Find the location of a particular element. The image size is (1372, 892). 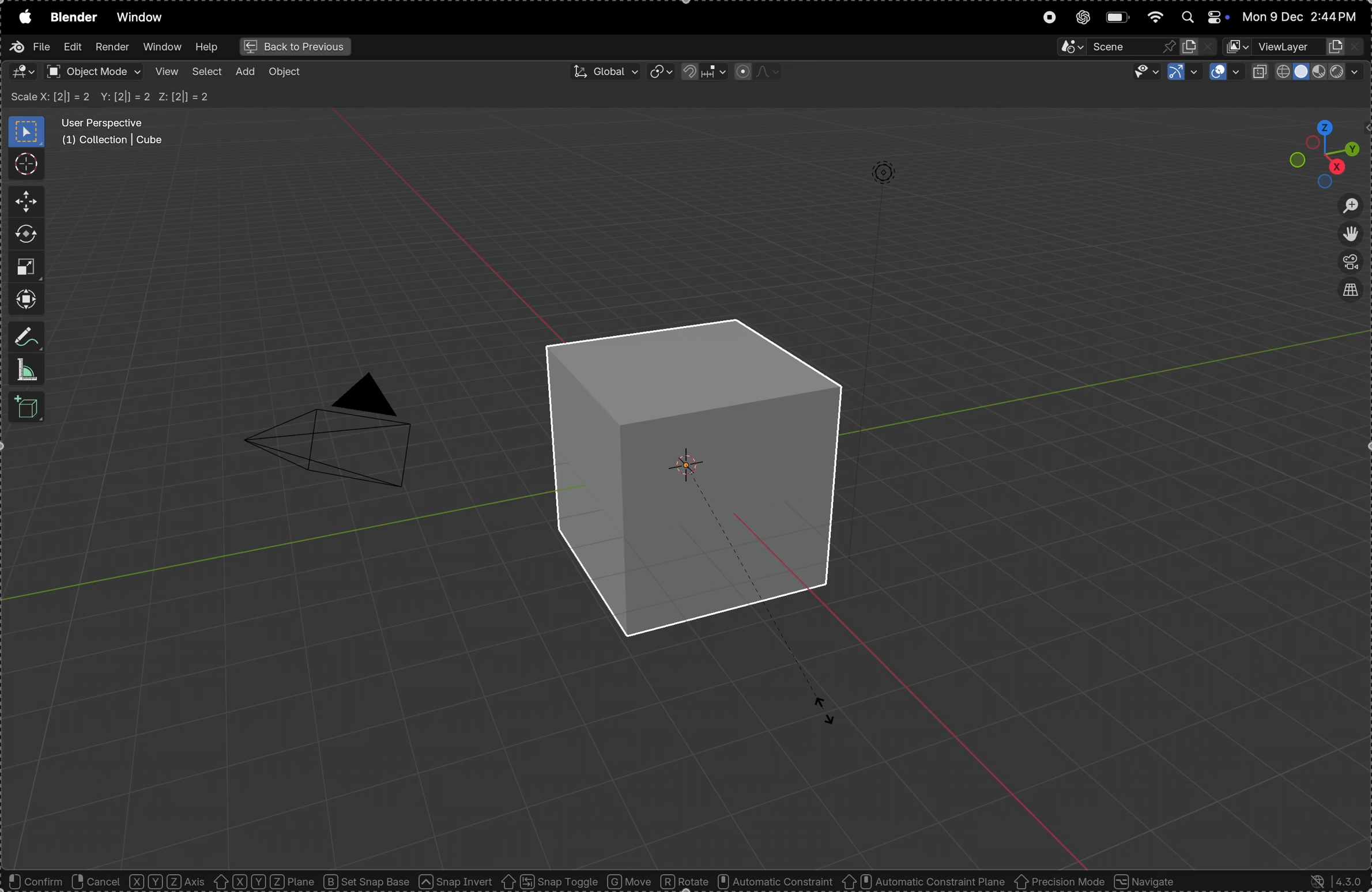

window is located at coordinates (140, 17).